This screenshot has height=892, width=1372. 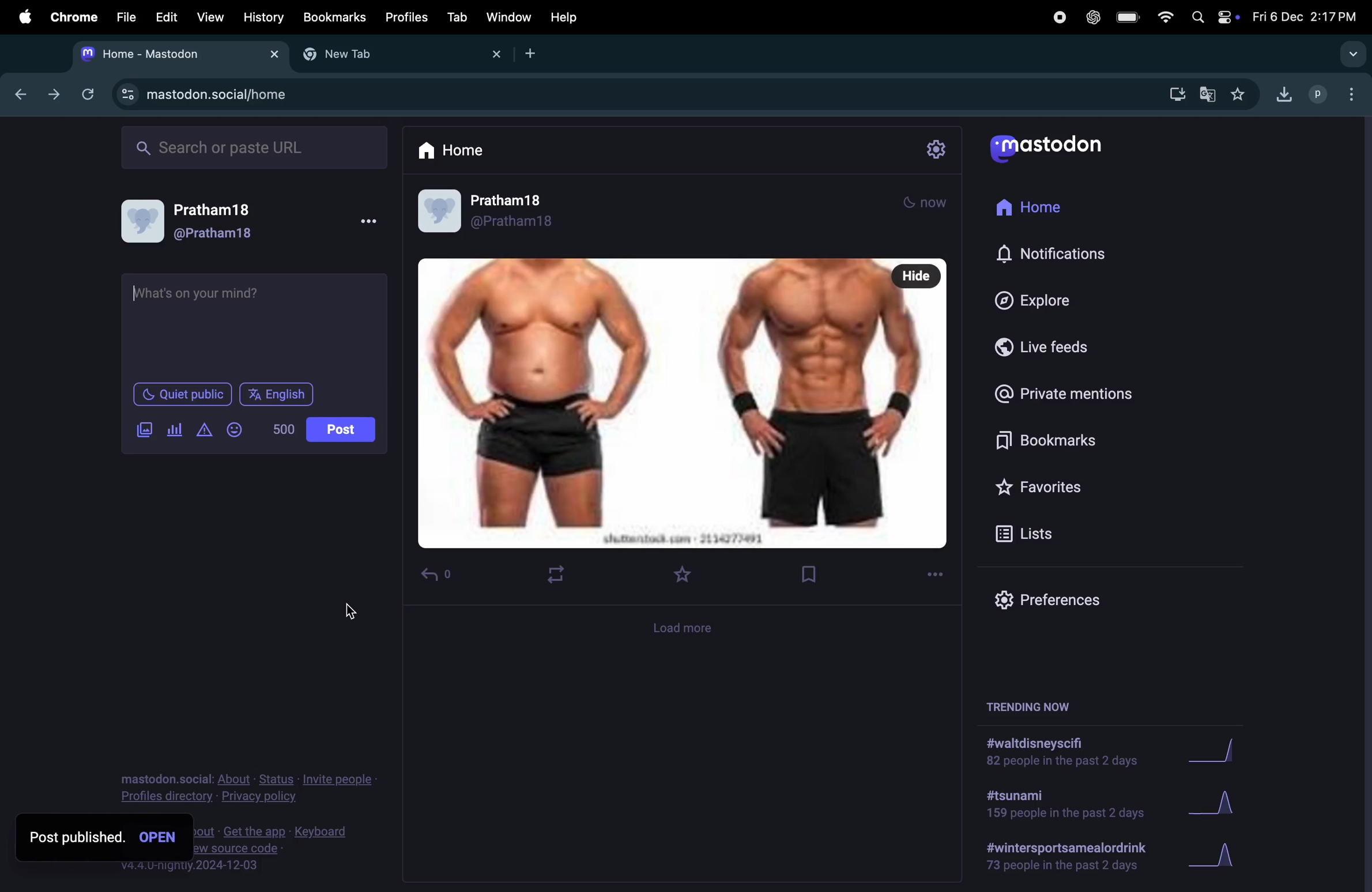 I want to click on walt disney scifi, so click(x=1073, y=747).